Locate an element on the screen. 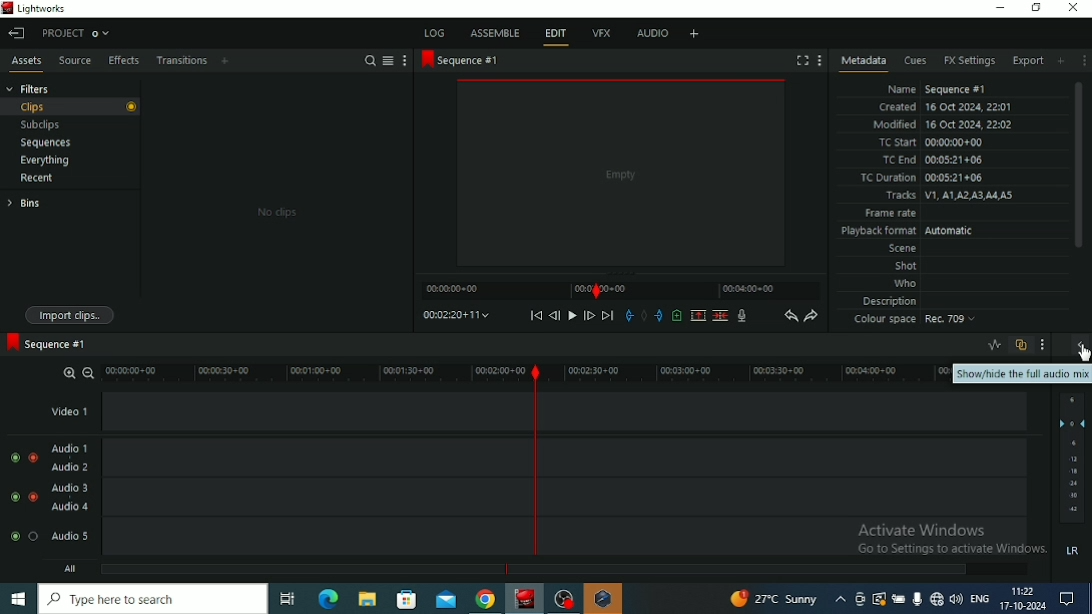  Effects is located at coordinates (122, 60).